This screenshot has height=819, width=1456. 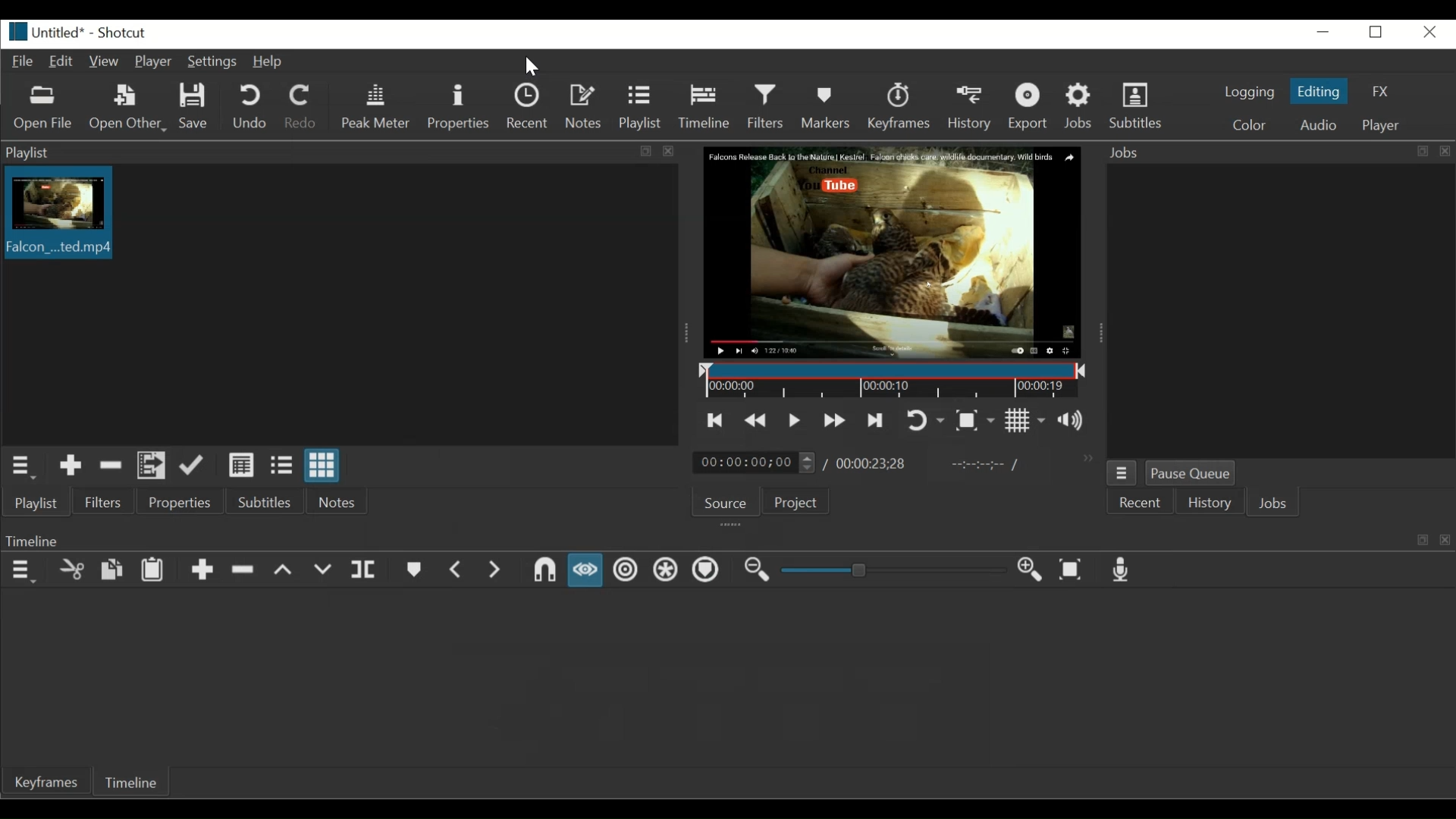 I want to click on Toggle grid display on the player, so click(x=1027, y=420).